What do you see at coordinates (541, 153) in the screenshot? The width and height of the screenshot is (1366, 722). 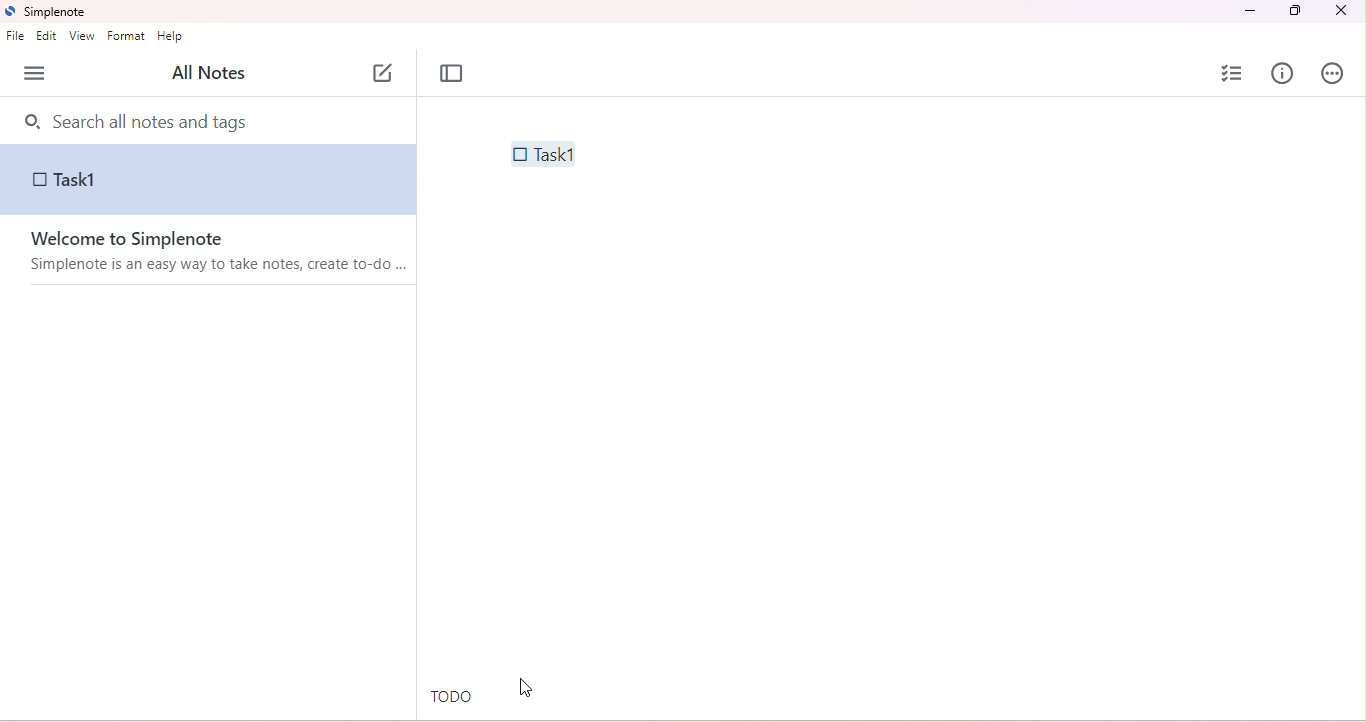 I see `note text selected` at bounding box center [541, 153].